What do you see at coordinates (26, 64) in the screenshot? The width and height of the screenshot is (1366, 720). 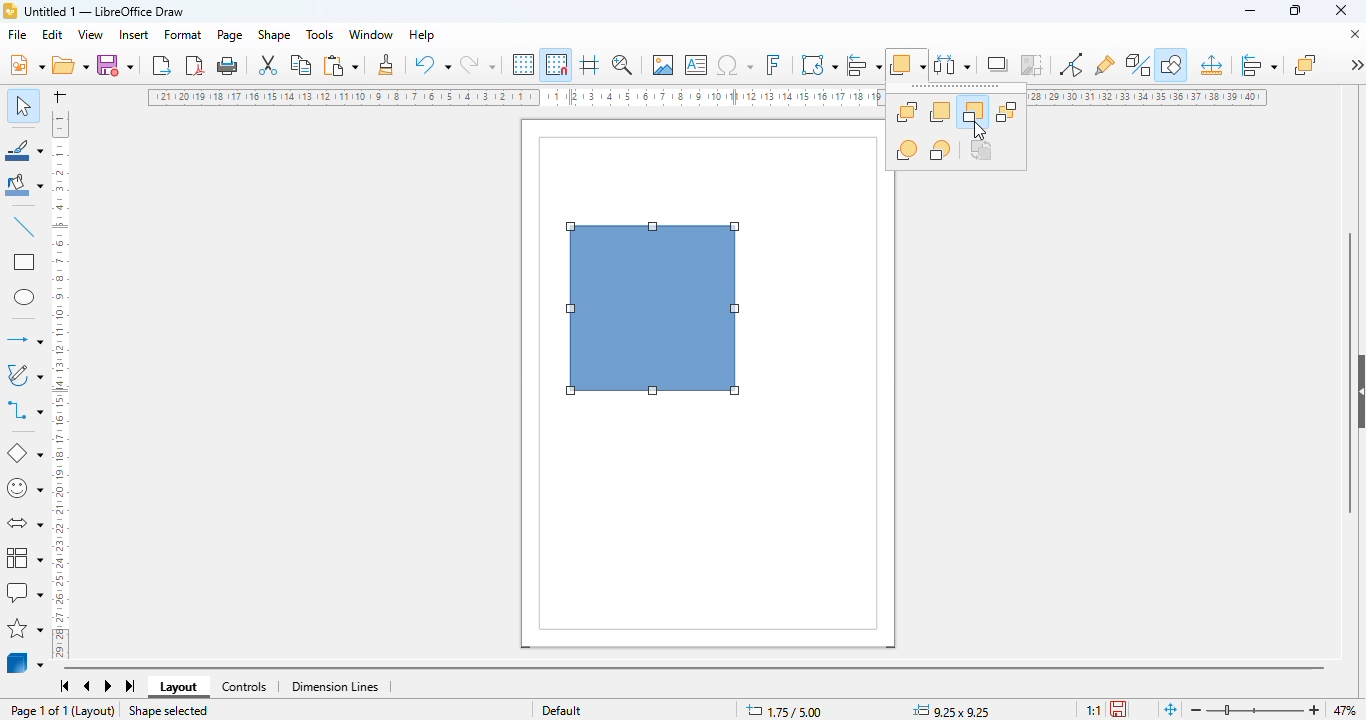 I see `new` at bounding box center [26, 64].